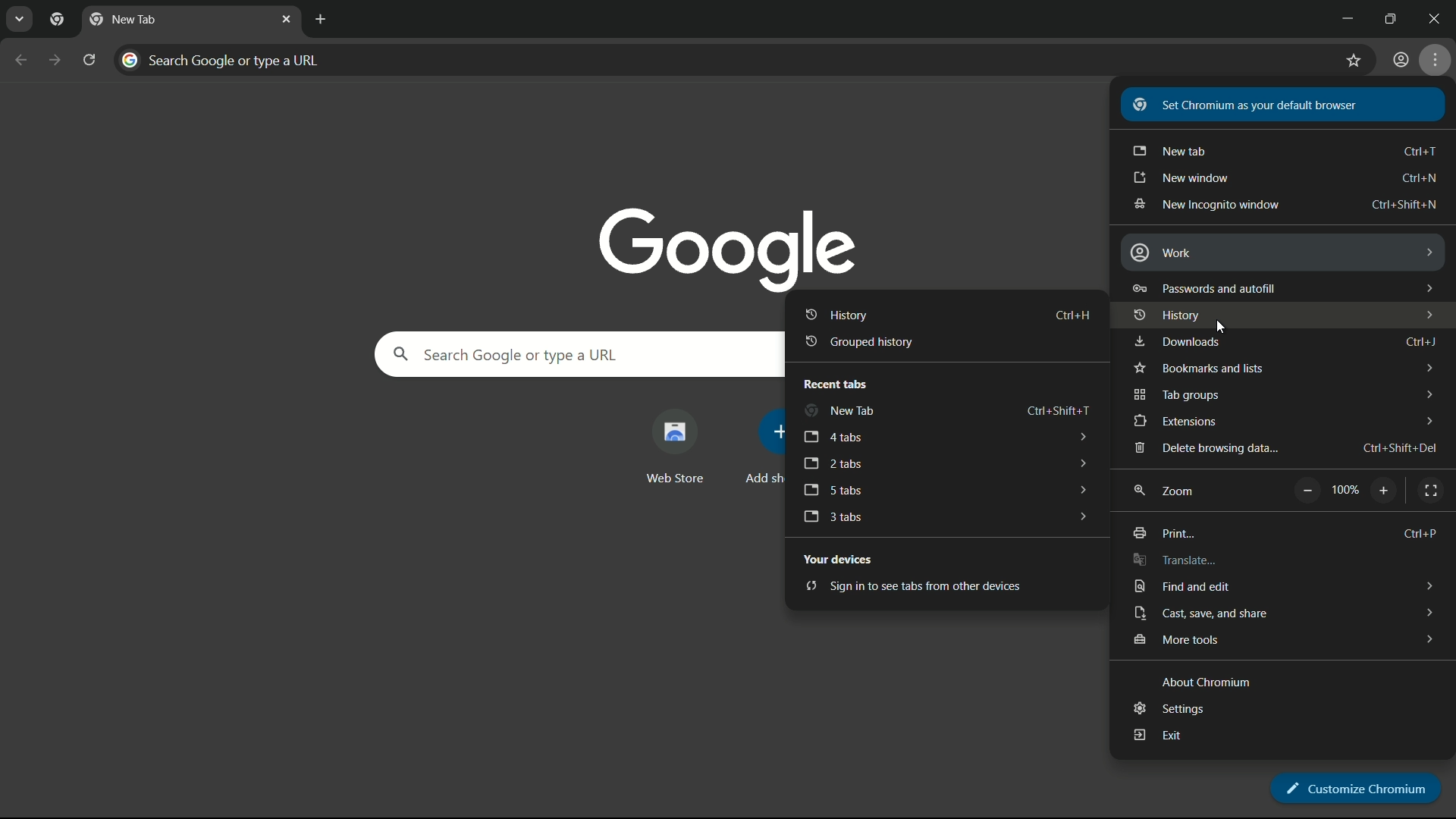 This screenshot has width=1456, height=819. Describe the element at coordinates (287, 17) in the screenshot. I see `close` at that location.